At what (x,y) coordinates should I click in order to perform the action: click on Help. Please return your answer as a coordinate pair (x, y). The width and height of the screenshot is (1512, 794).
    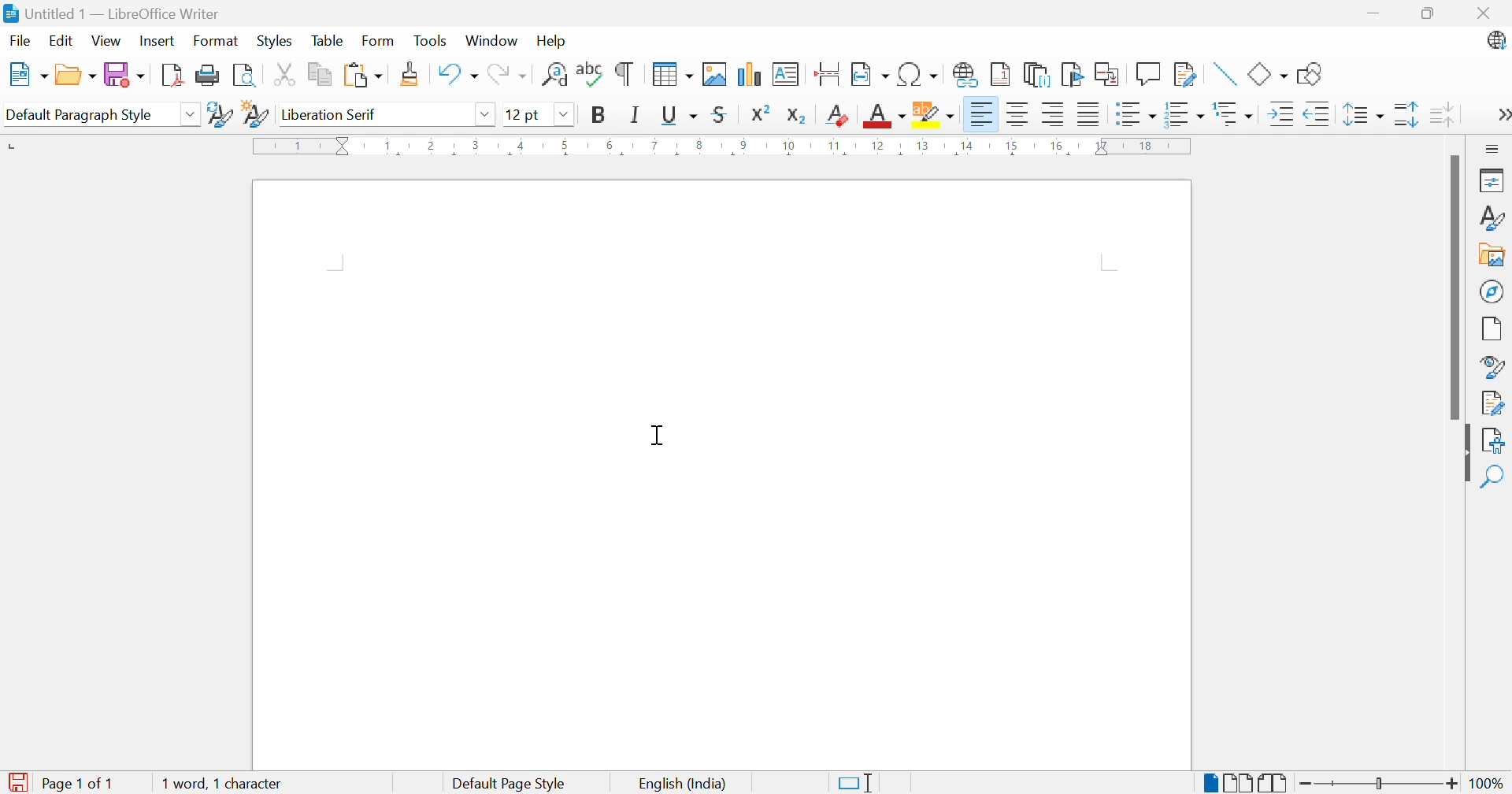
    Looking at the image, I should click on (555, 43).